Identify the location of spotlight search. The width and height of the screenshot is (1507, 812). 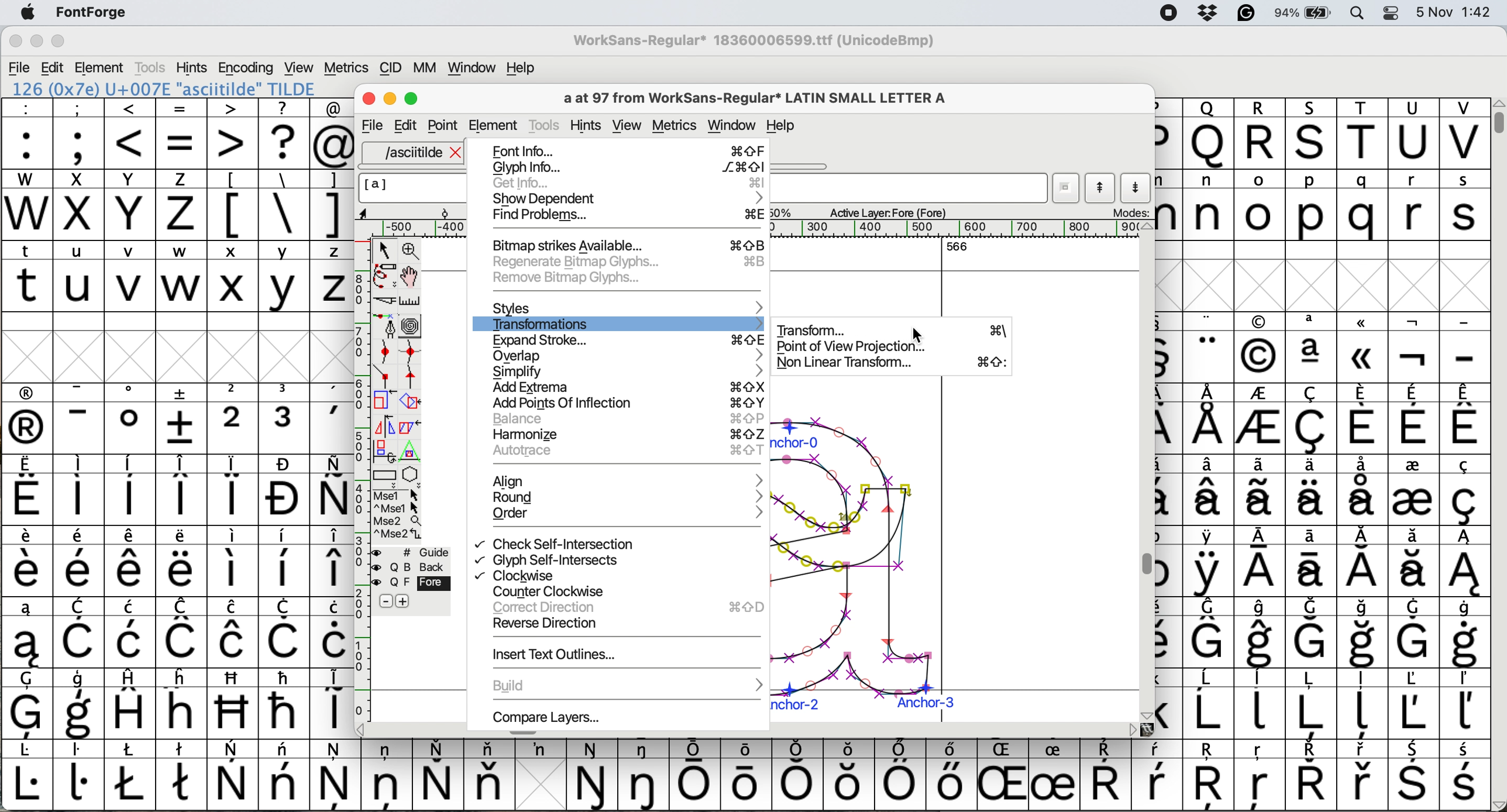
(1360, 12).